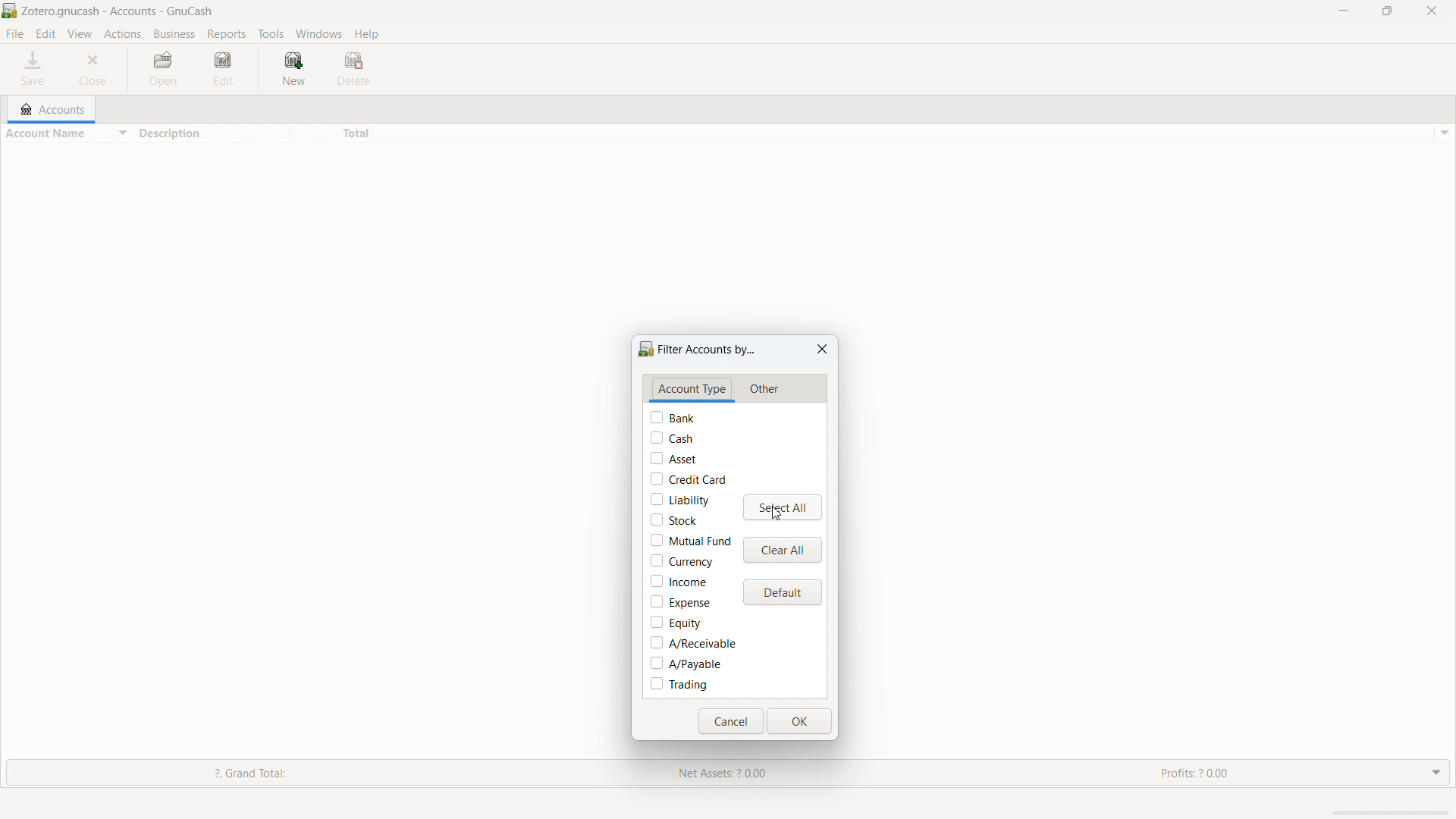 The width and height of the screenshot is (1456, 819). What do you see at coordinates (368, 33) in the screenshot?
I see `help` at bounding box center [368, 33].